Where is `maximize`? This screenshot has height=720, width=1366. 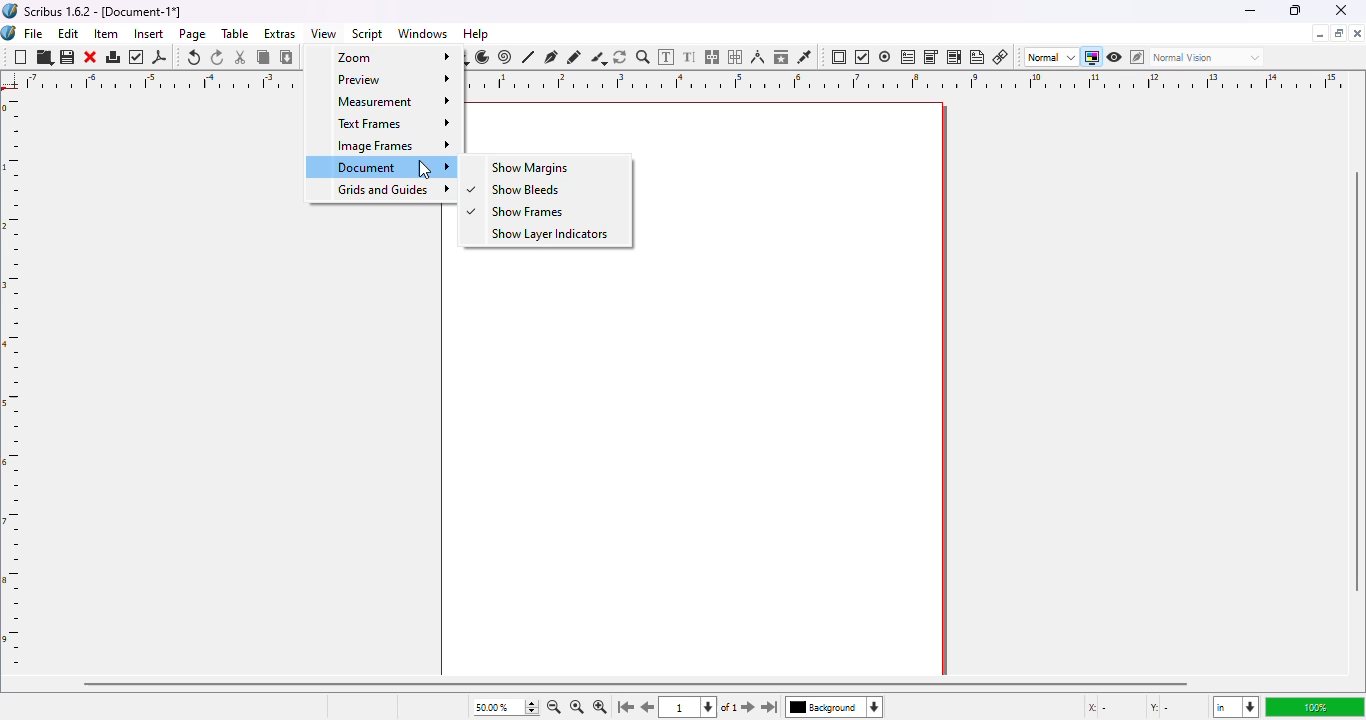 maximize is located at coordinates (1339, 33).